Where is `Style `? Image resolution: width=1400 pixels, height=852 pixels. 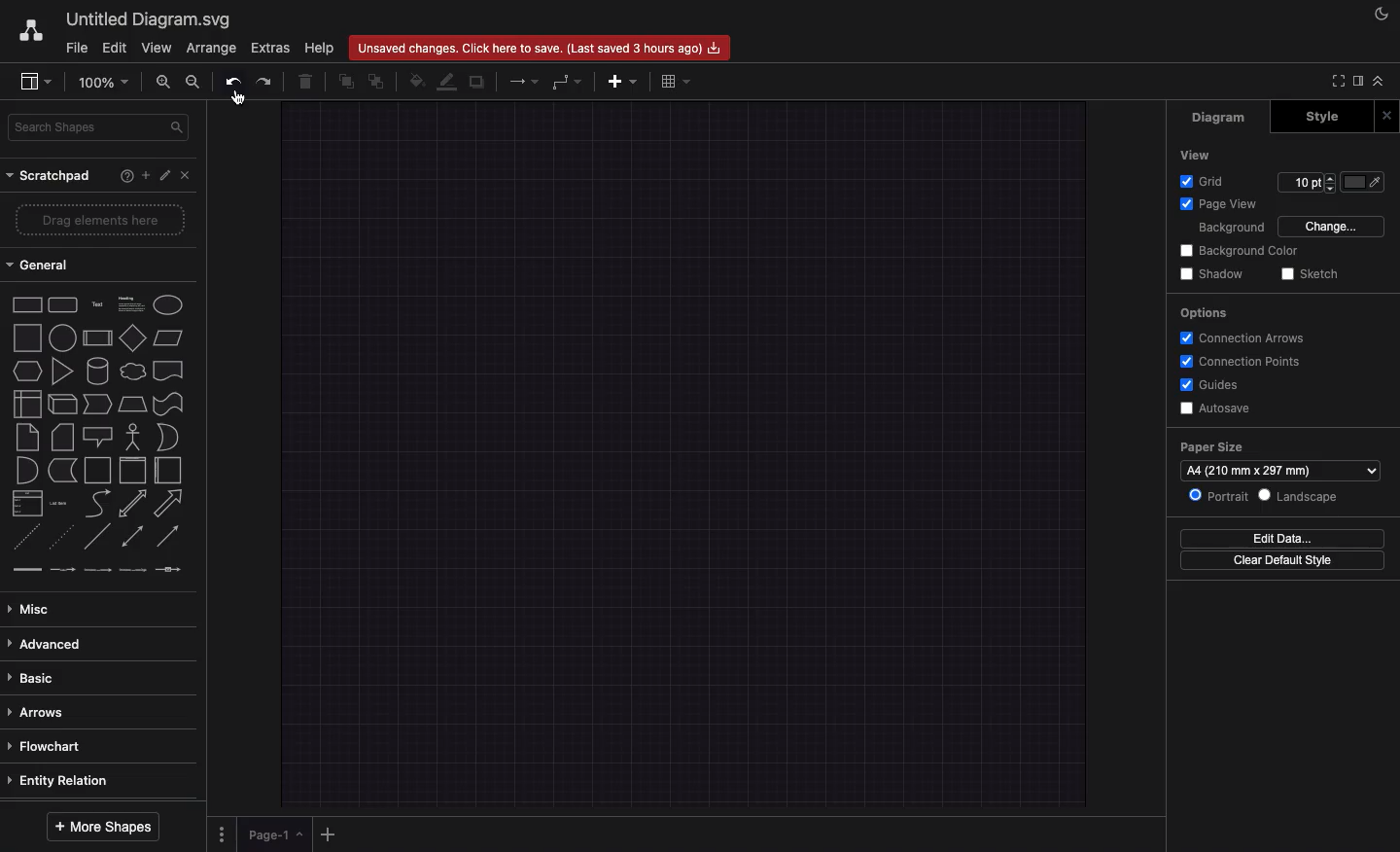
Style  is located at coordinates (1322, 115).